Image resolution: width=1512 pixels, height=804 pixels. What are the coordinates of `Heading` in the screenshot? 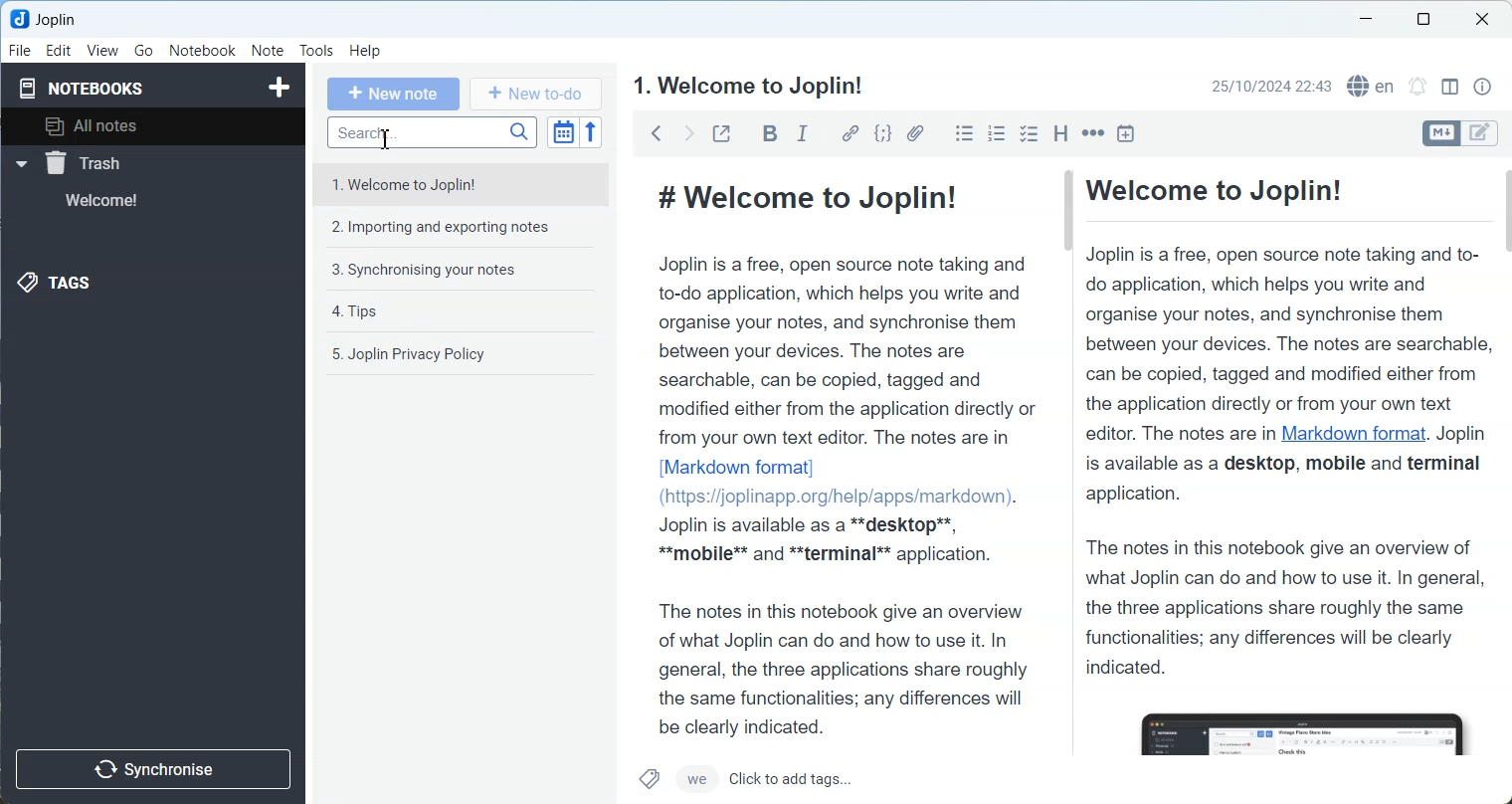 It's located at (1060, 132).